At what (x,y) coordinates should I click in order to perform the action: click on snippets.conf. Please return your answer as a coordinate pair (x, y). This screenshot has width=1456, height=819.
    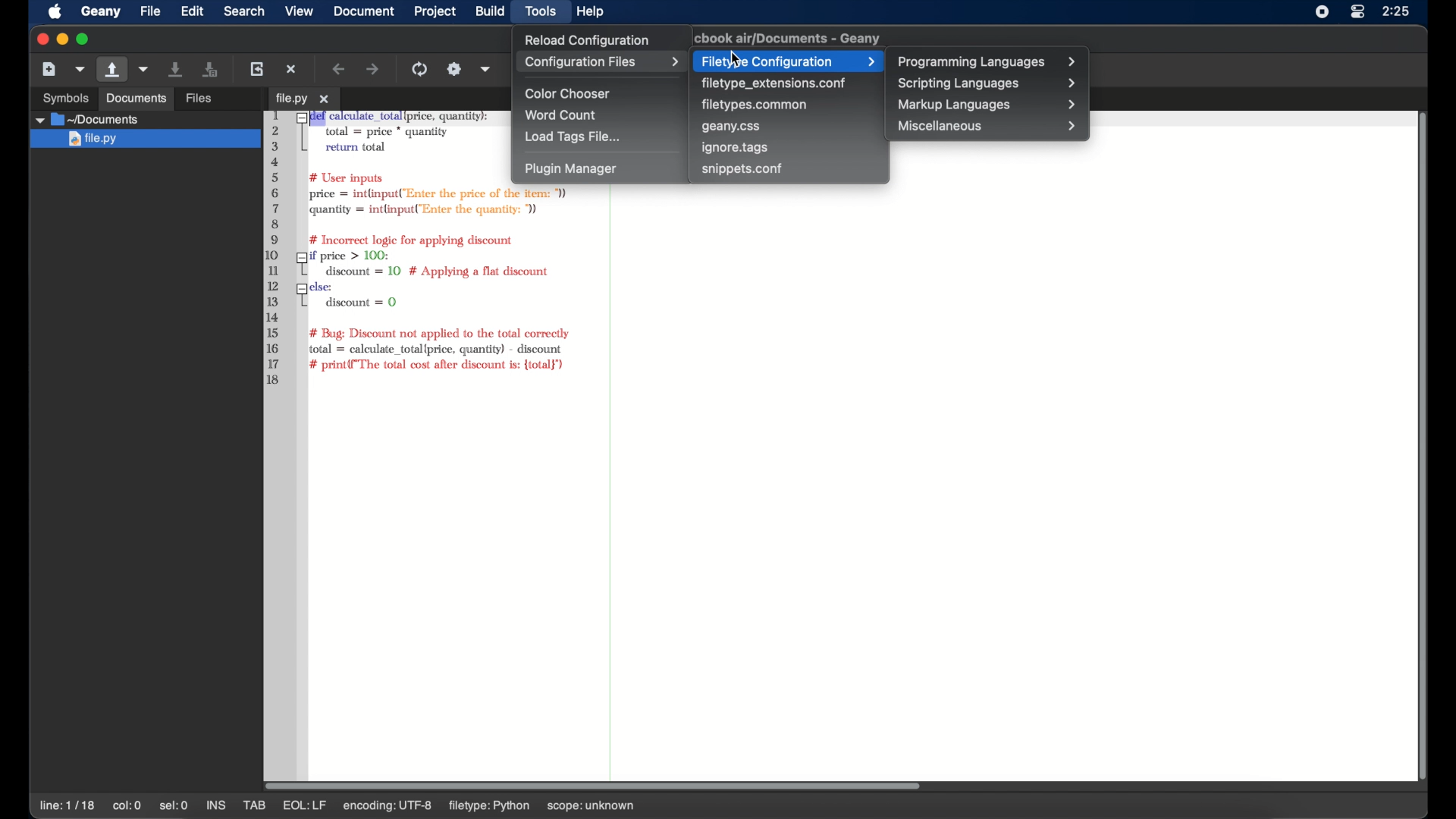
    Looking at the image, I should click on (742, 168).